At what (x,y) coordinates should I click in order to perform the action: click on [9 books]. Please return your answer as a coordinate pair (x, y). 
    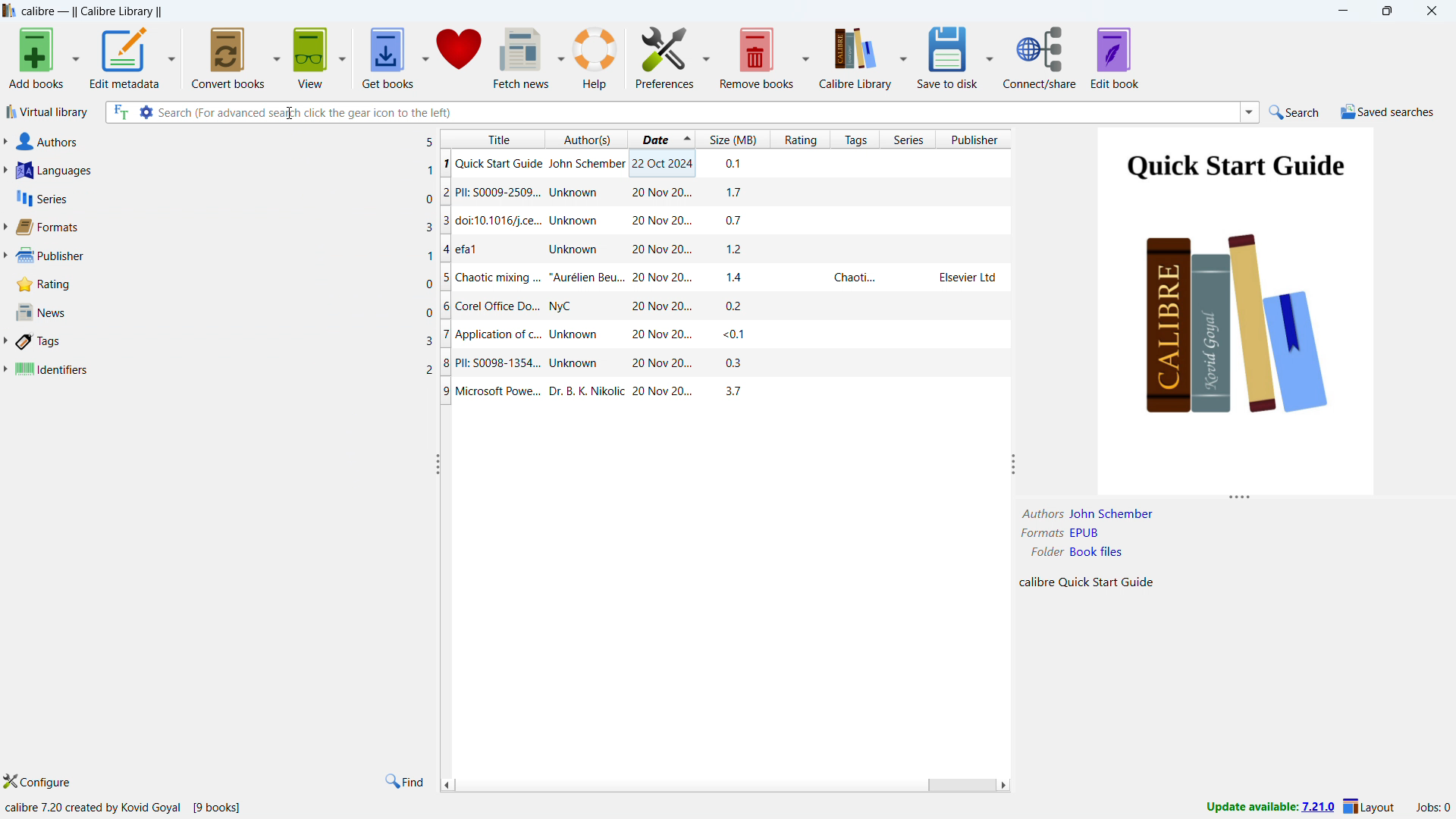
    Looking at the image, I should click on (223, 807).